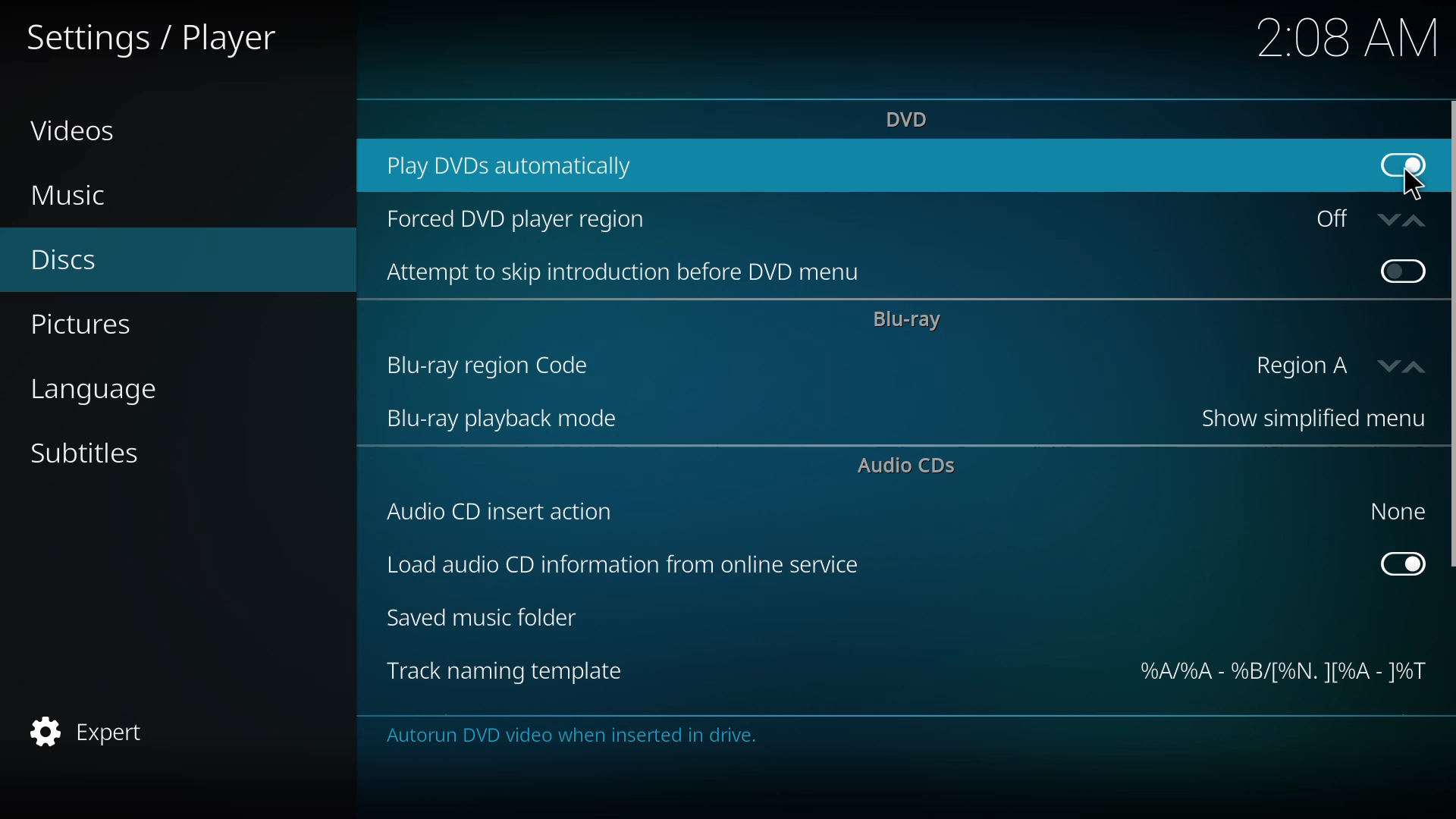 Image resolution: width=1456 pixels, height=819 pixels. Describe the element at coordinates (160, 36) in the screenshot. I see `settings player` at that location.